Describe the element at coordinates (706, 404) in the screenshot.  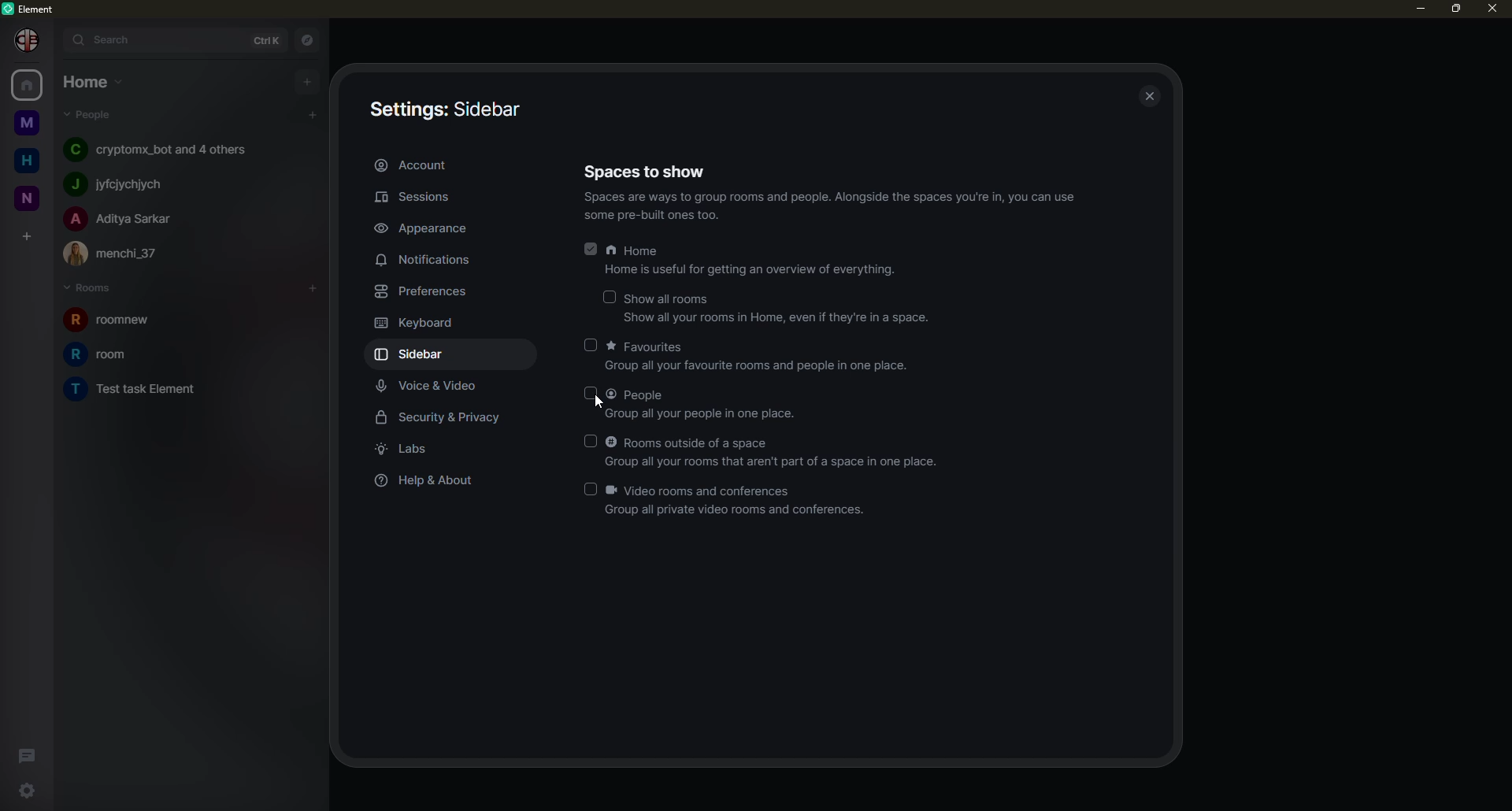
I see `people` at that location.